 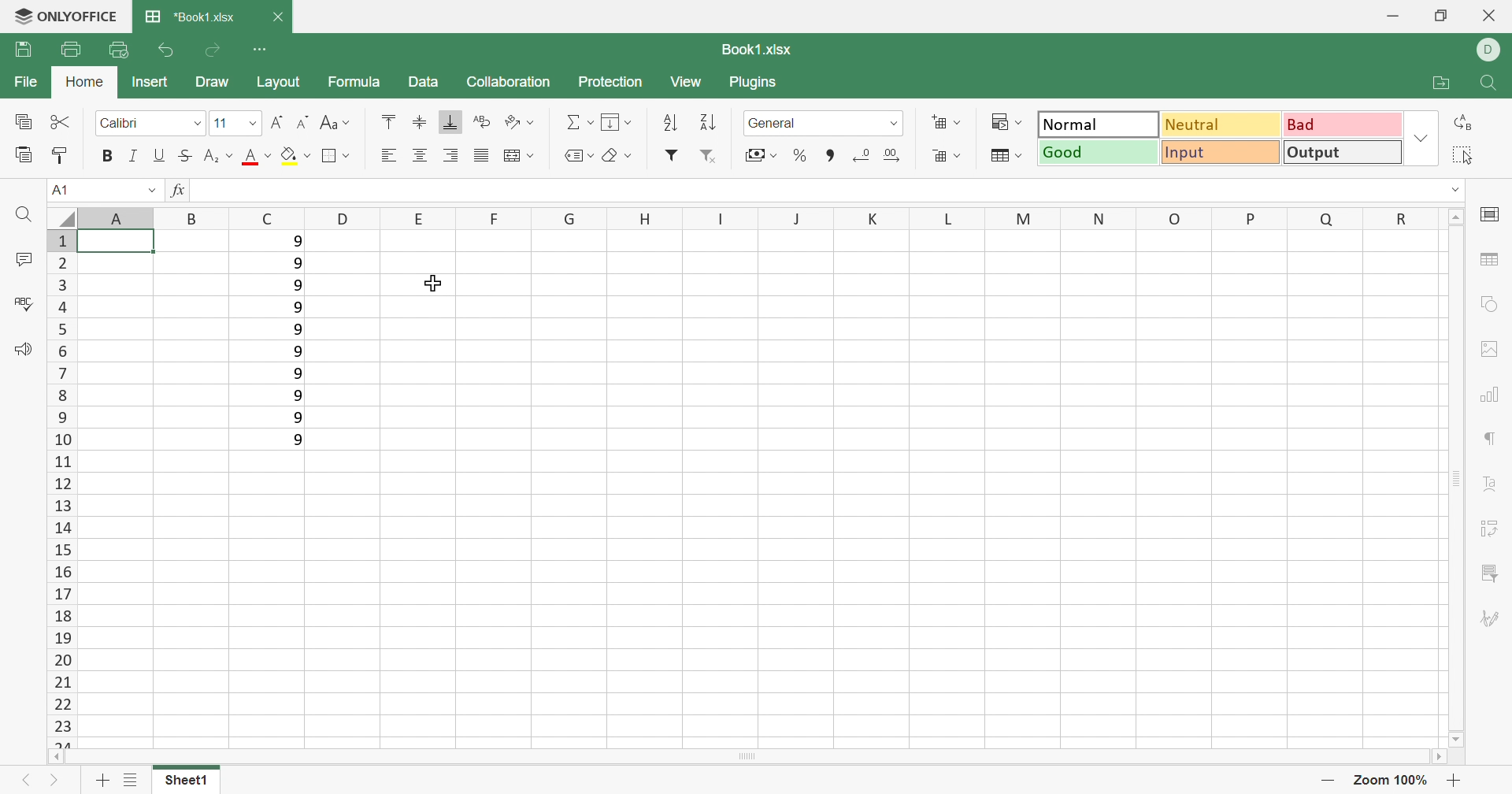 I want to click on Delete cells, so click(x=949, y=155).